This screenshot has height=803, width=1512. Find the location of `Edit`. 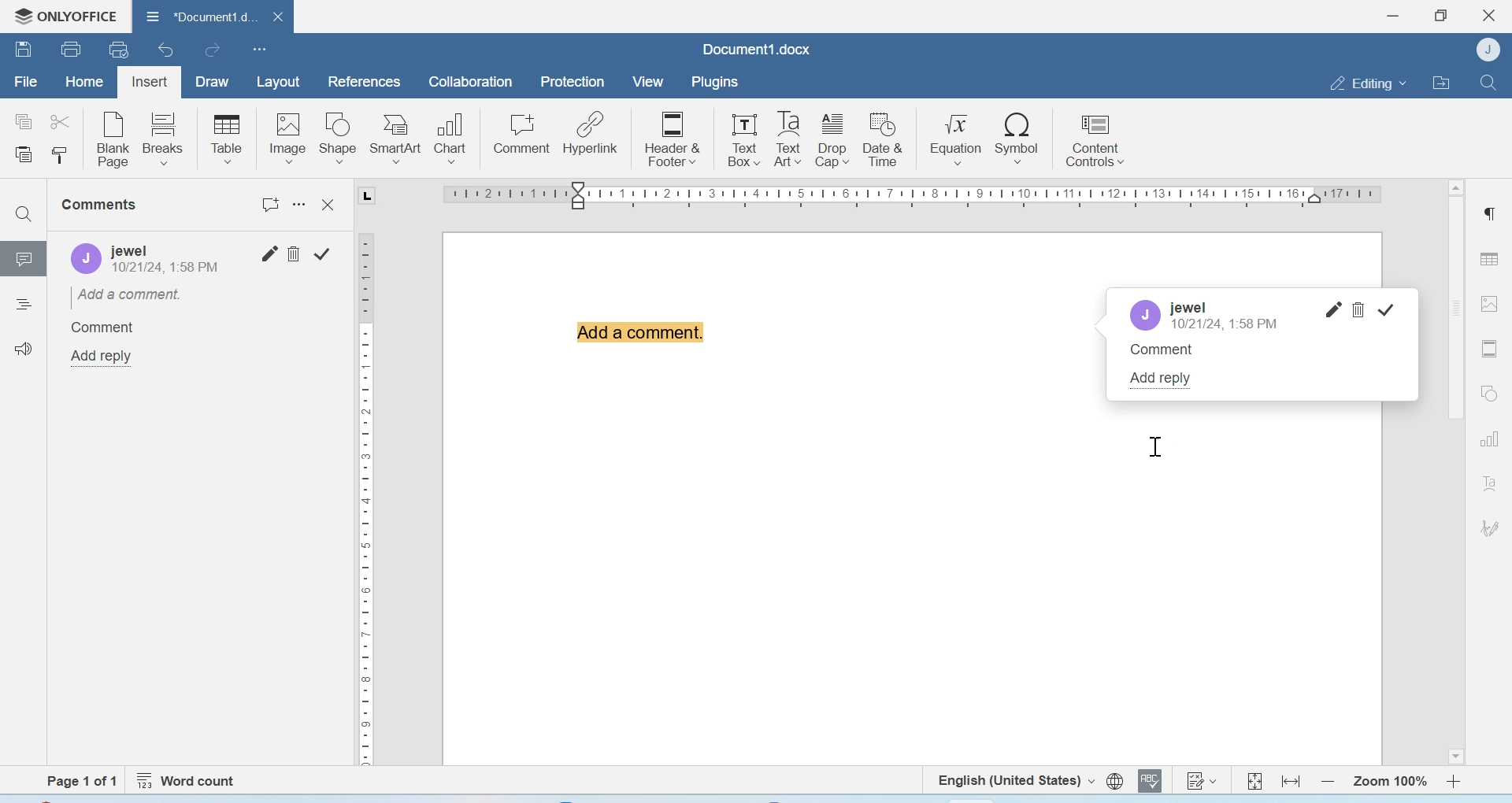

Edit is located at coordinates (270, 253).